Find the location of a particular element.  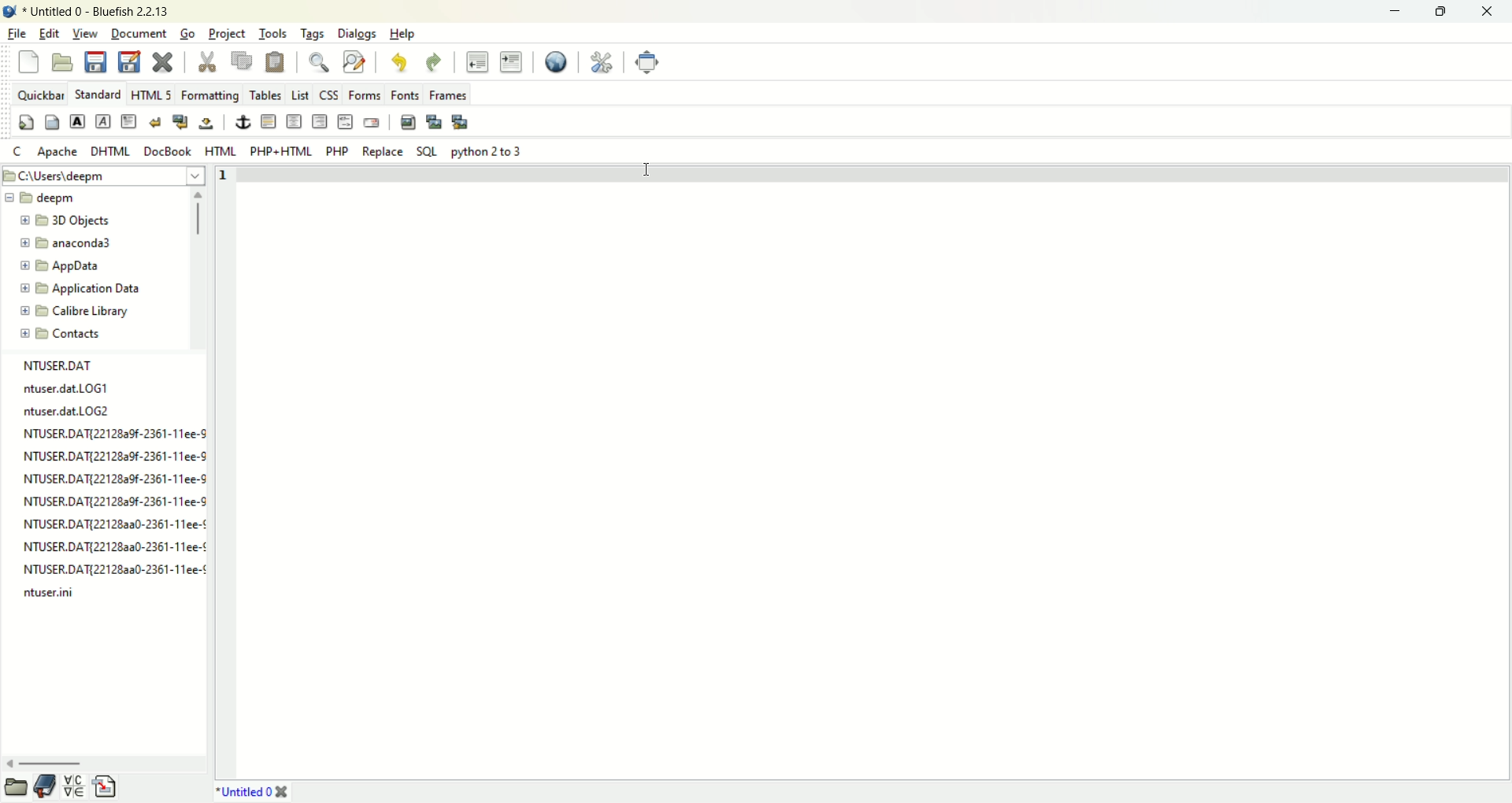

edit is located at coordinates (50, 33).